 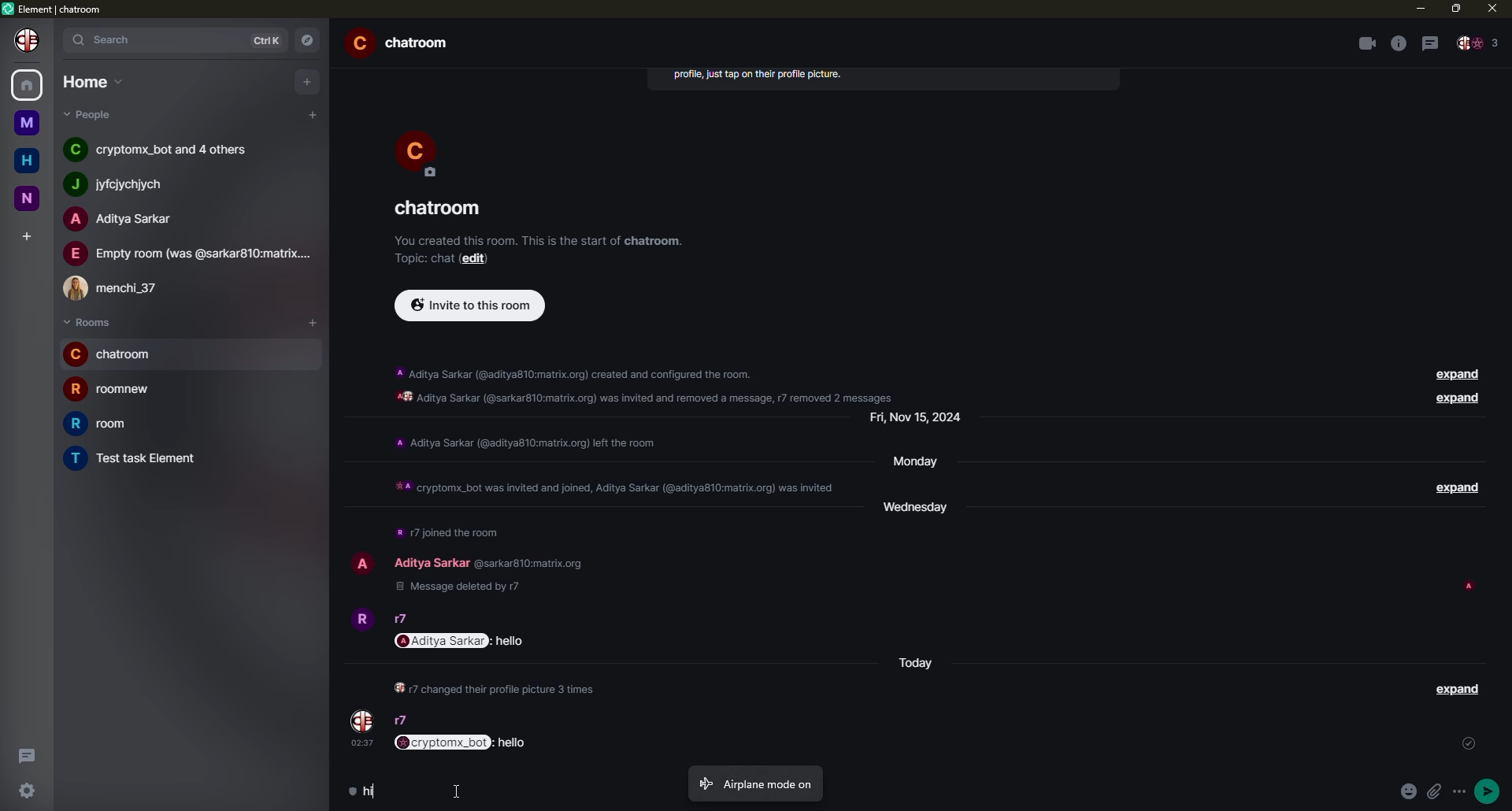 What do you see at coordinates (114, 390) in the screenshot?
I see `room` at bounding box center [114, 390].